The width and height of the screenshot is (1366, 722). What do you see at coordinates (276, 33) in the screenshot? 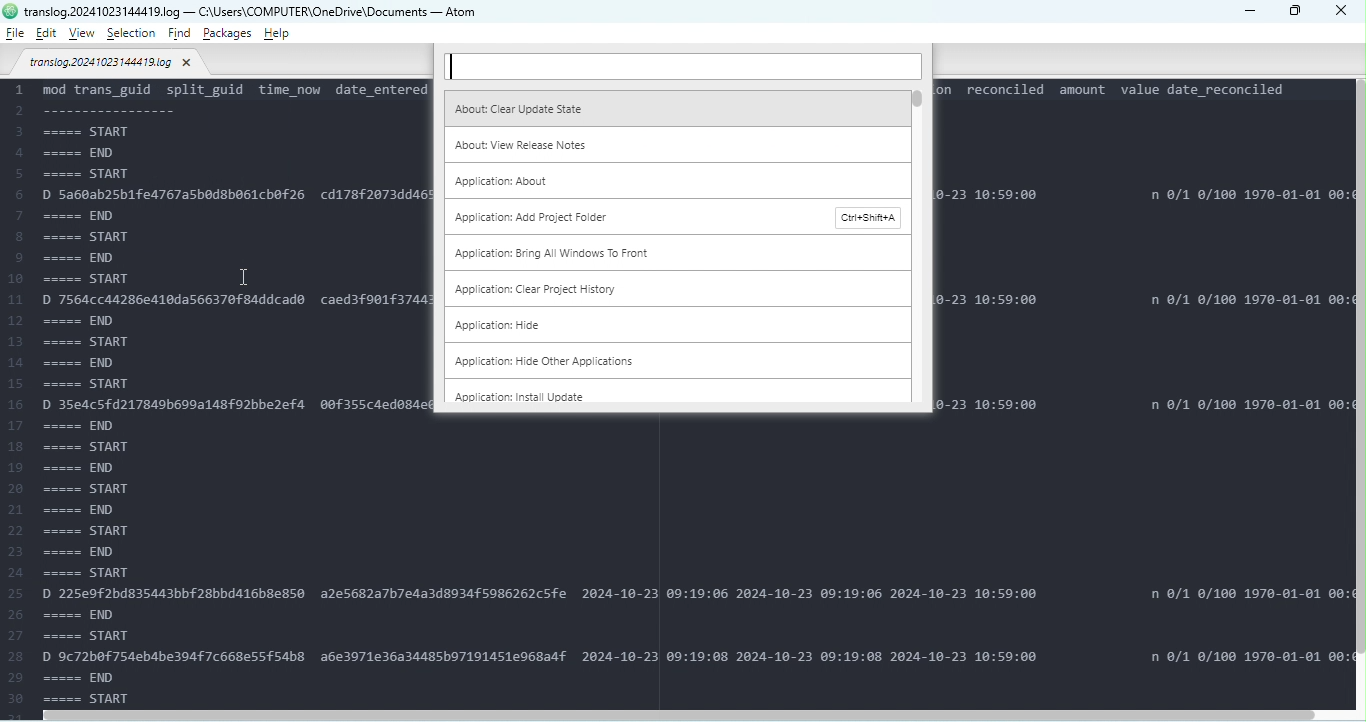
I see `Help` at bounding box center [276, 33].